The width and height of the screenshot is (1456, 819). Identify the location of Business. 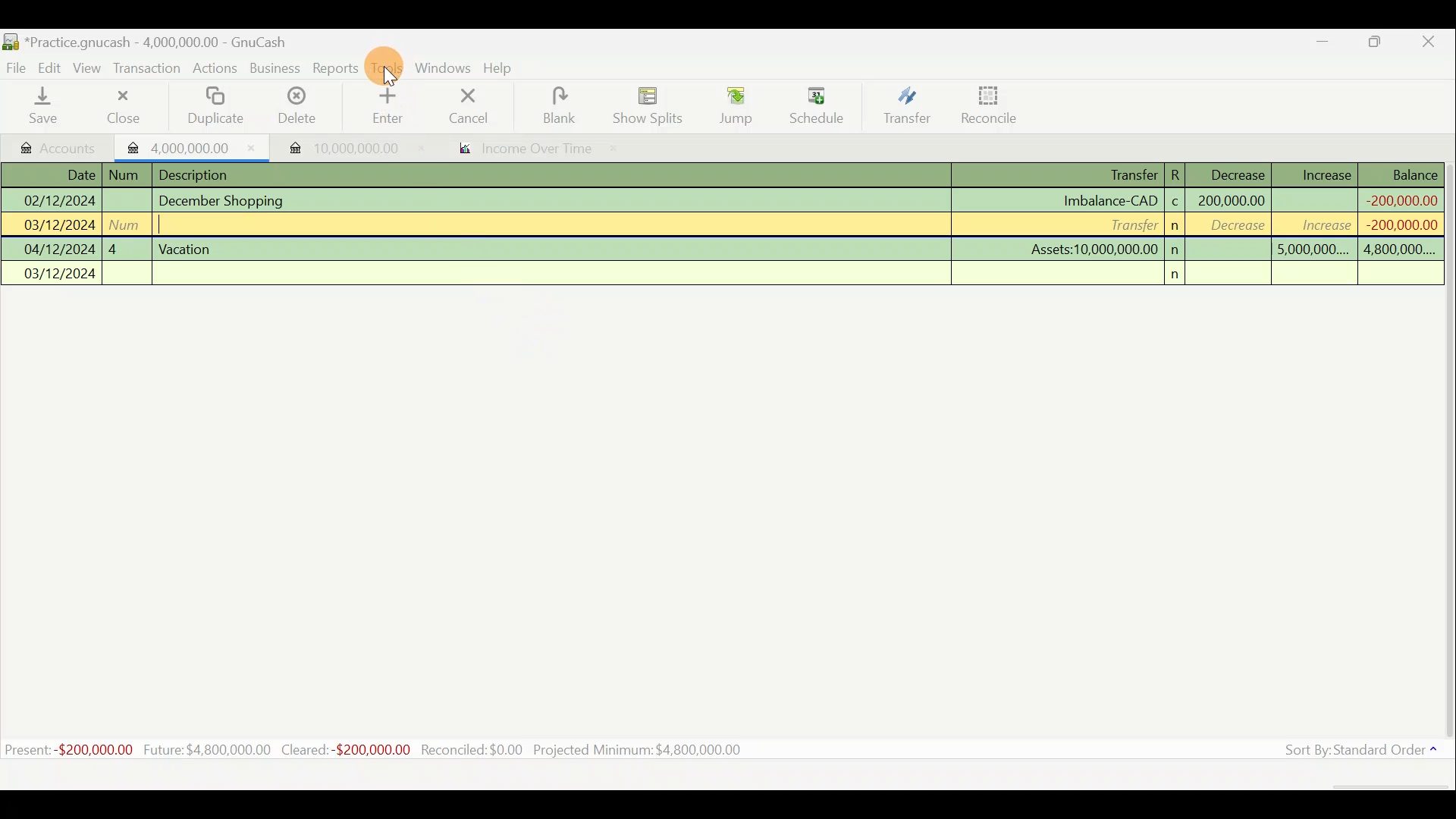
(276, 68).